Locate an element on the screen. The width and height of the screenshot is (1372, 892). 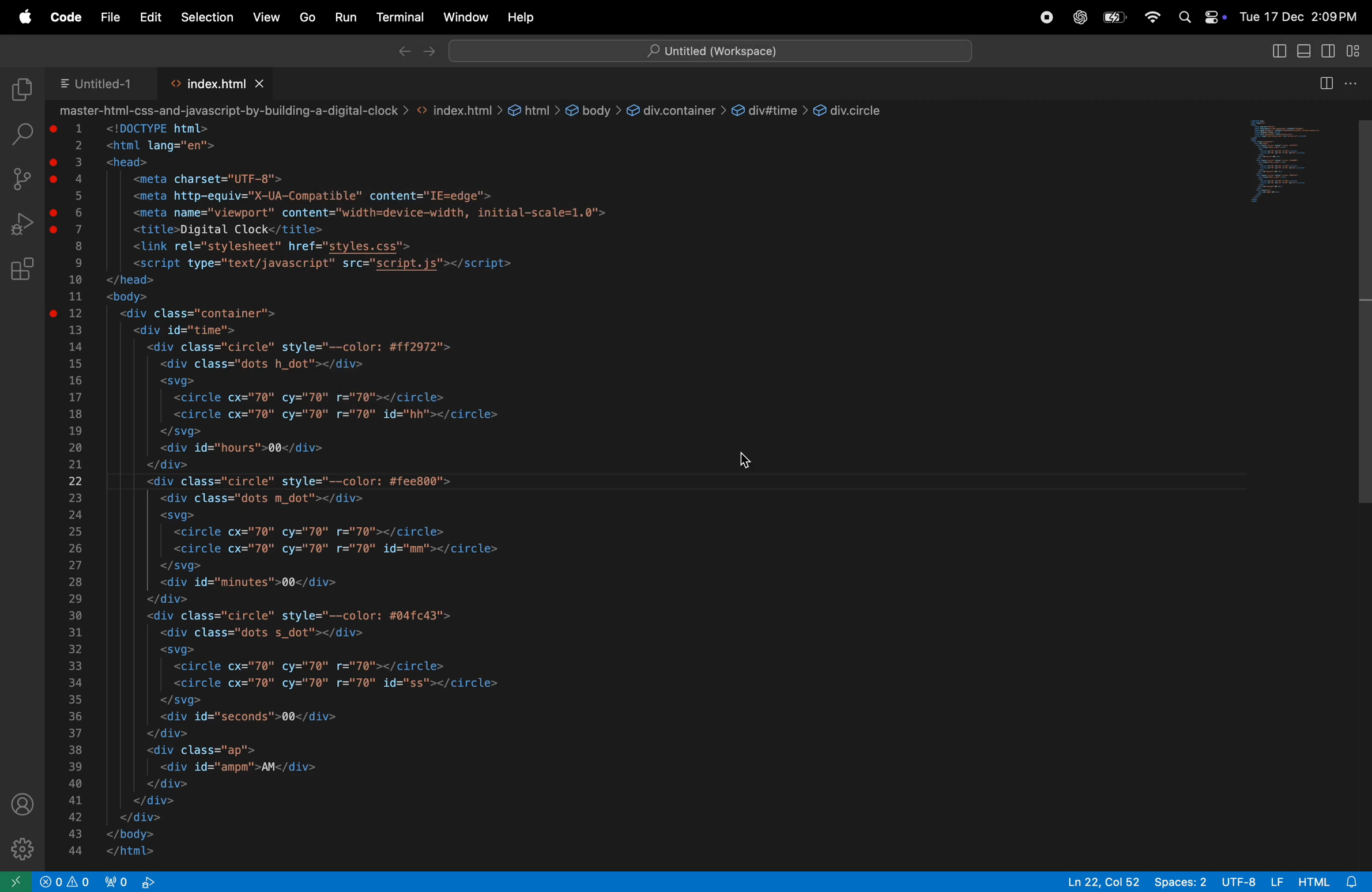
source control is located at coordinates (20, 179).